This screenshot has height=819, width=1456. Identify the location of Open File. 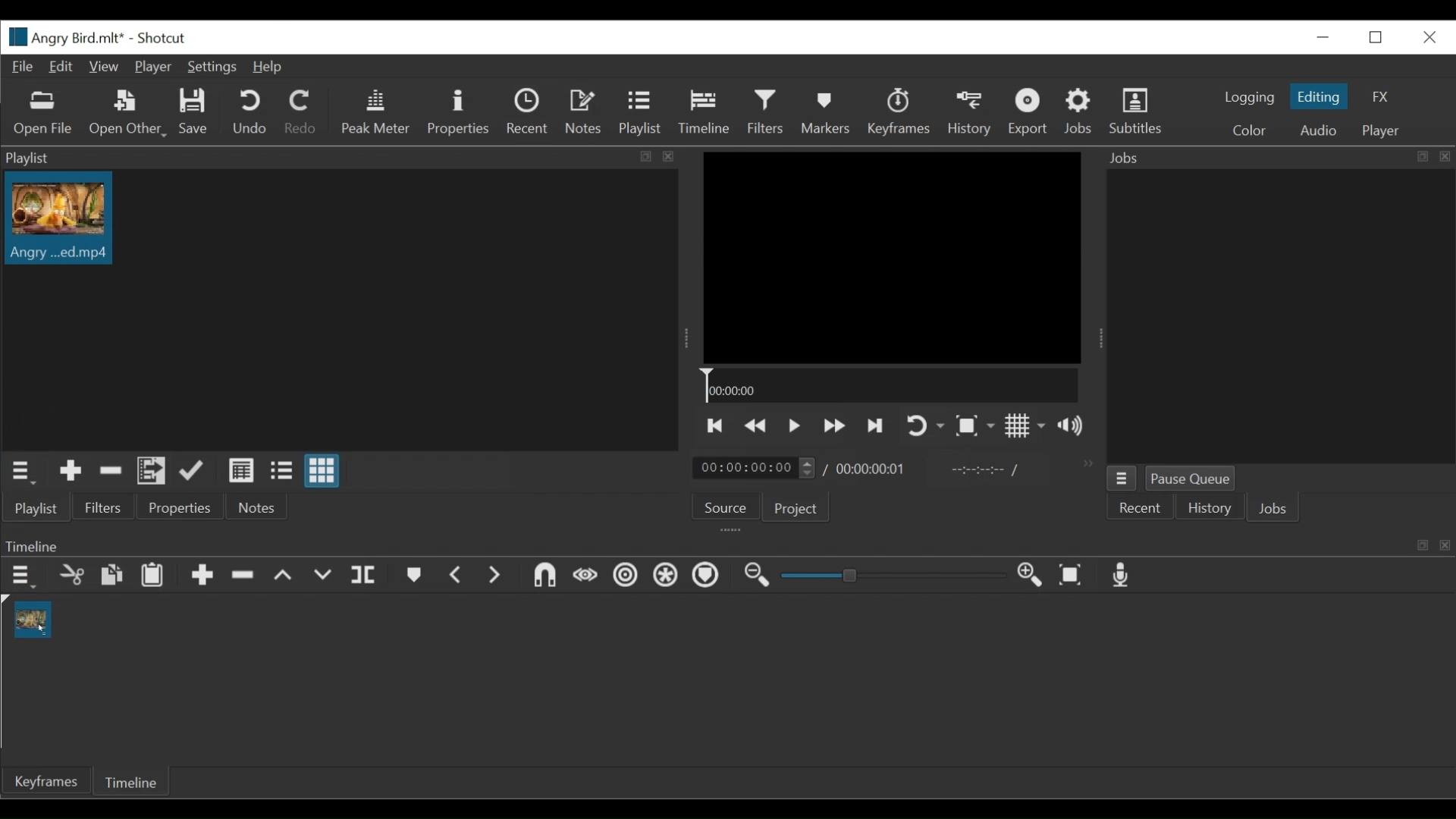
(42, 114).